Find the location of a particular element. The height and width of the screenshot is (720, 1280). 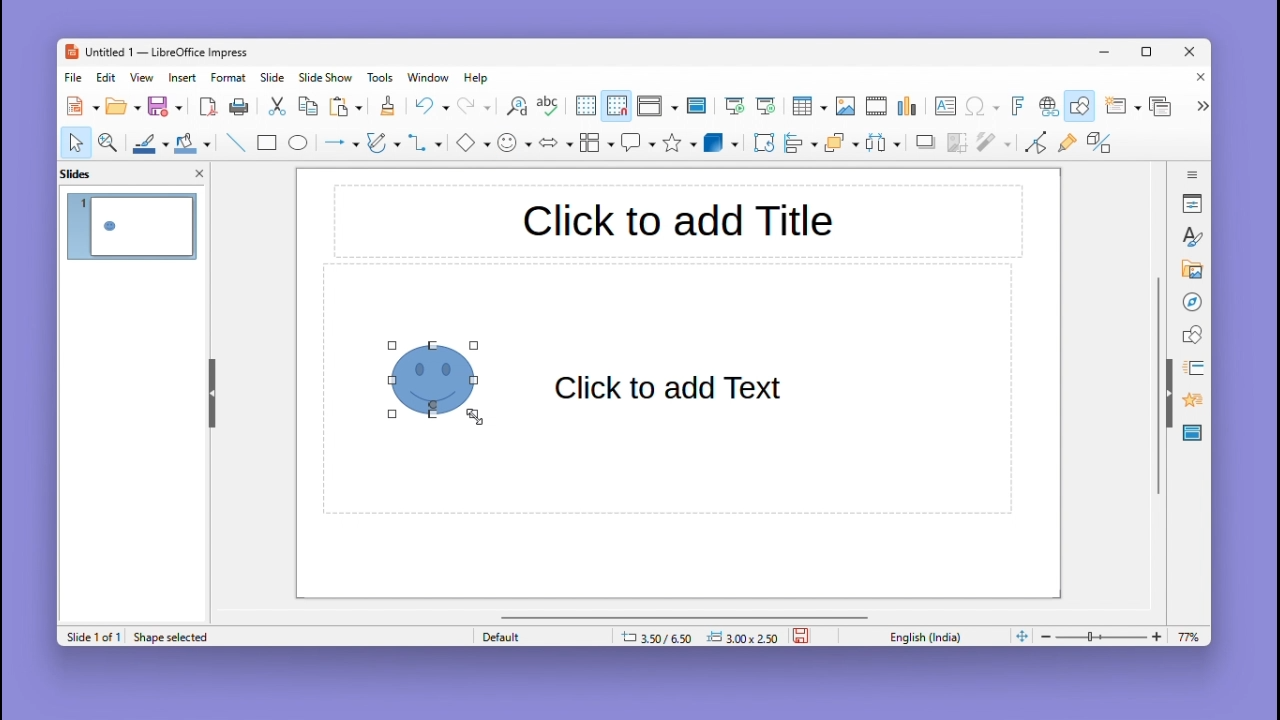

Last slide is located at coordinates (766, 106).